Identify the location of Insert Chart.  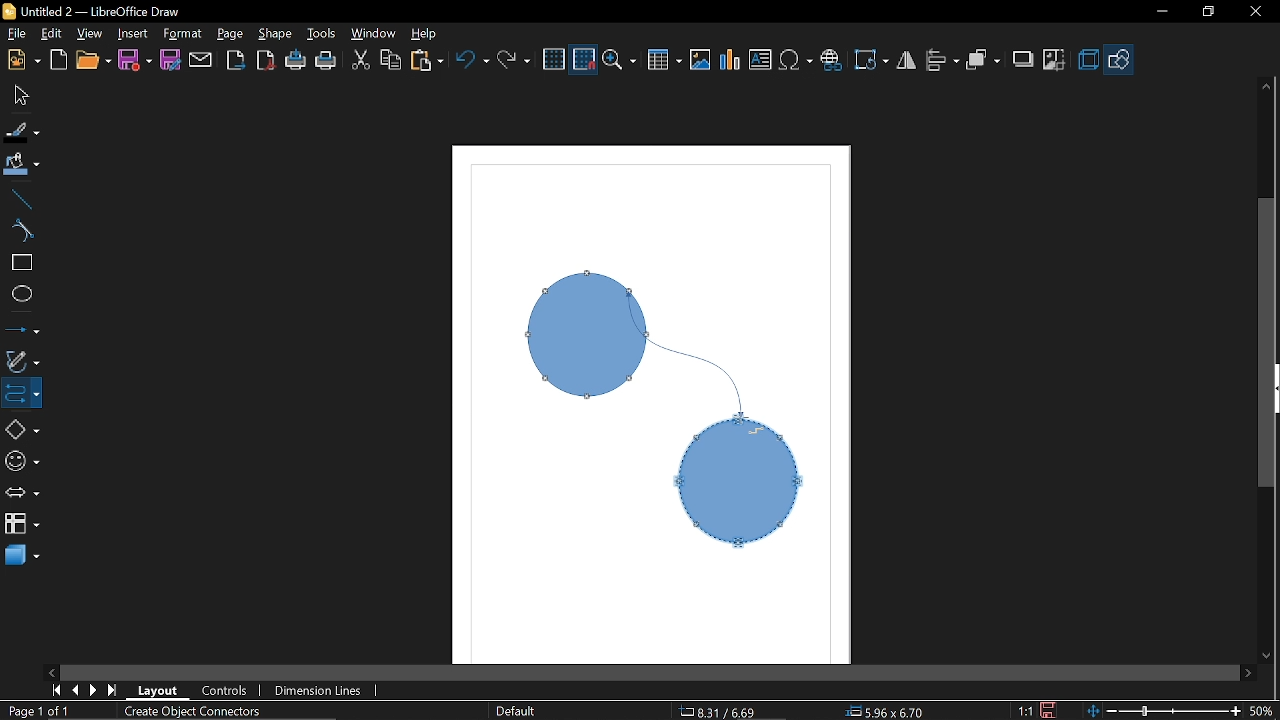
(730, 61).